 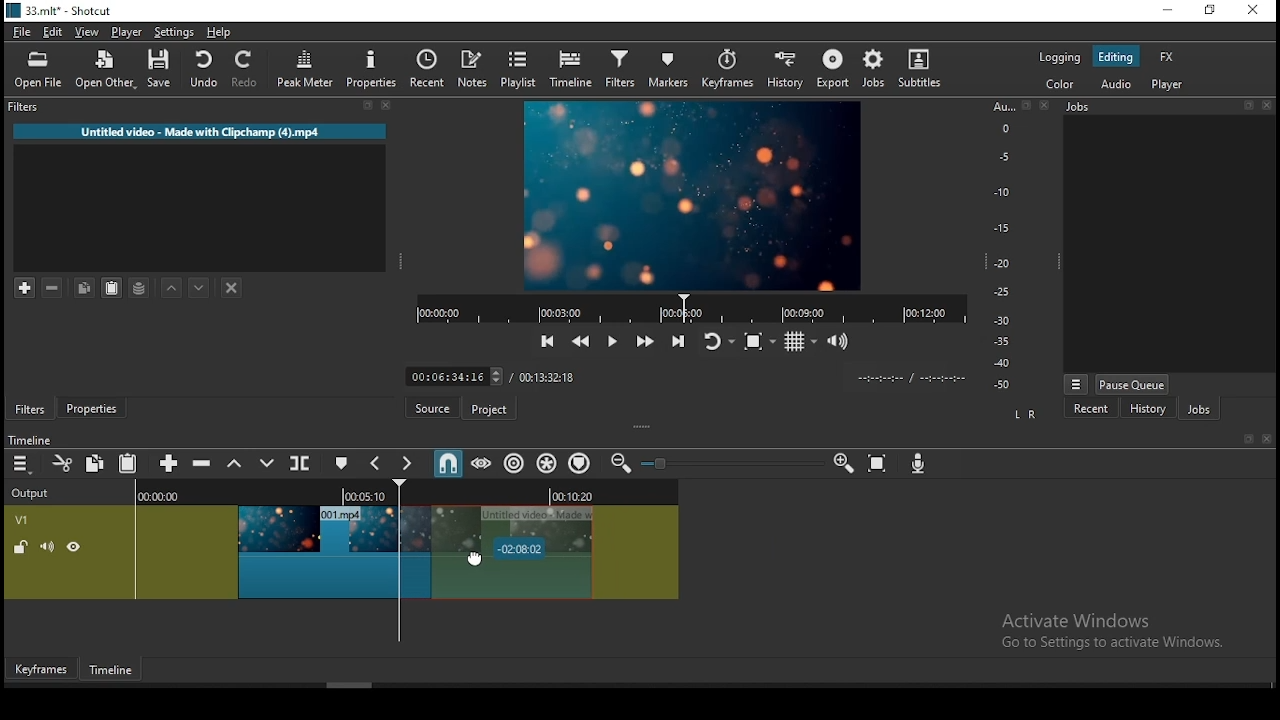 What do you see at coordinates (686, 308) in the screenshot?
I see `timer` at bounding box center [686, 308].